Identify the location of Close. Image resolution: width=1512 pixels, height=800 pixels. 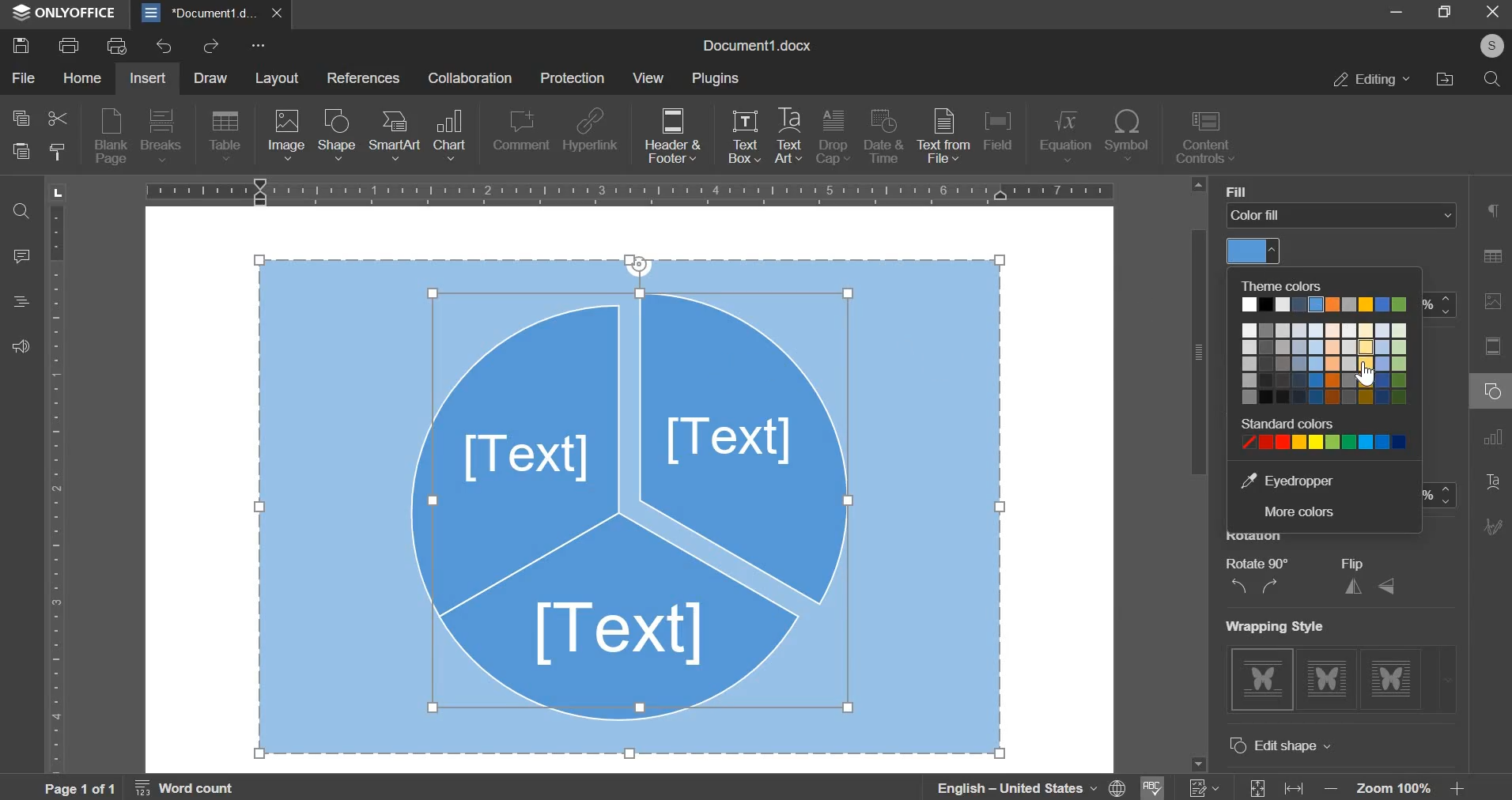
(1494, 11).